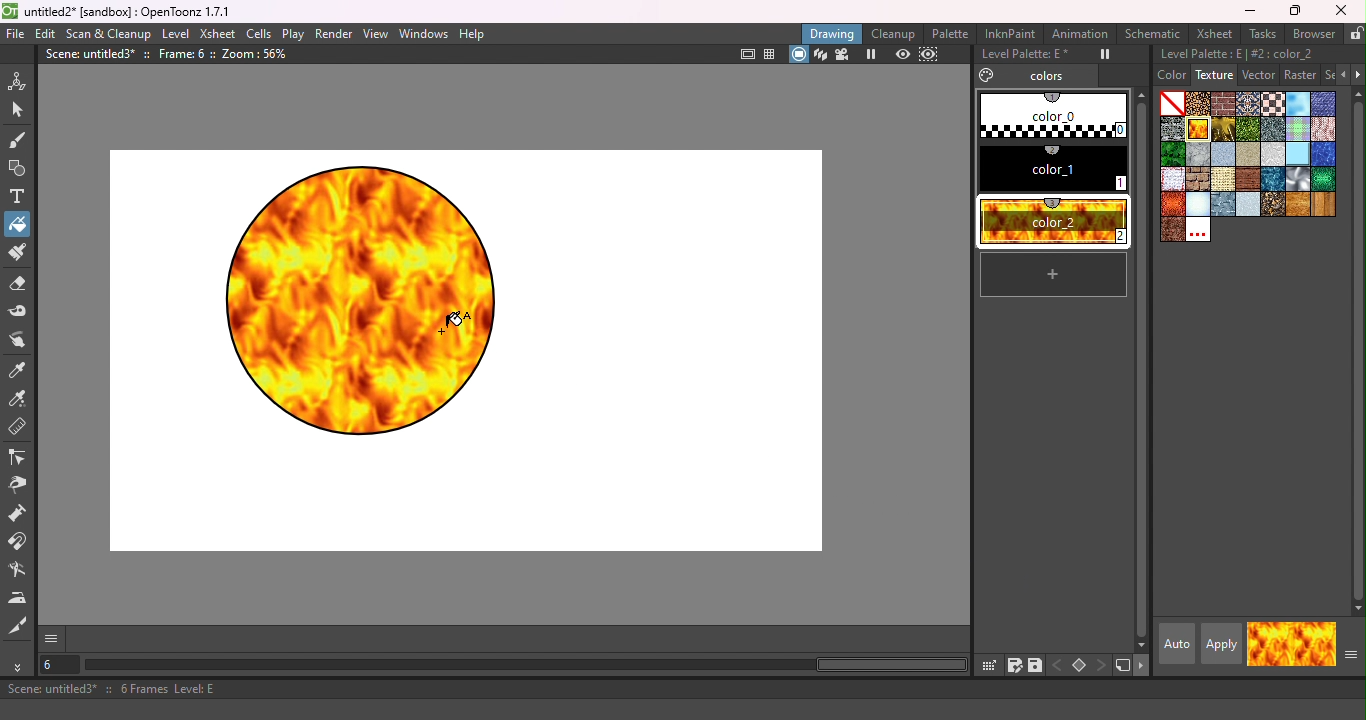  I want to click on vertical scroll bar, so click(1139, 369).